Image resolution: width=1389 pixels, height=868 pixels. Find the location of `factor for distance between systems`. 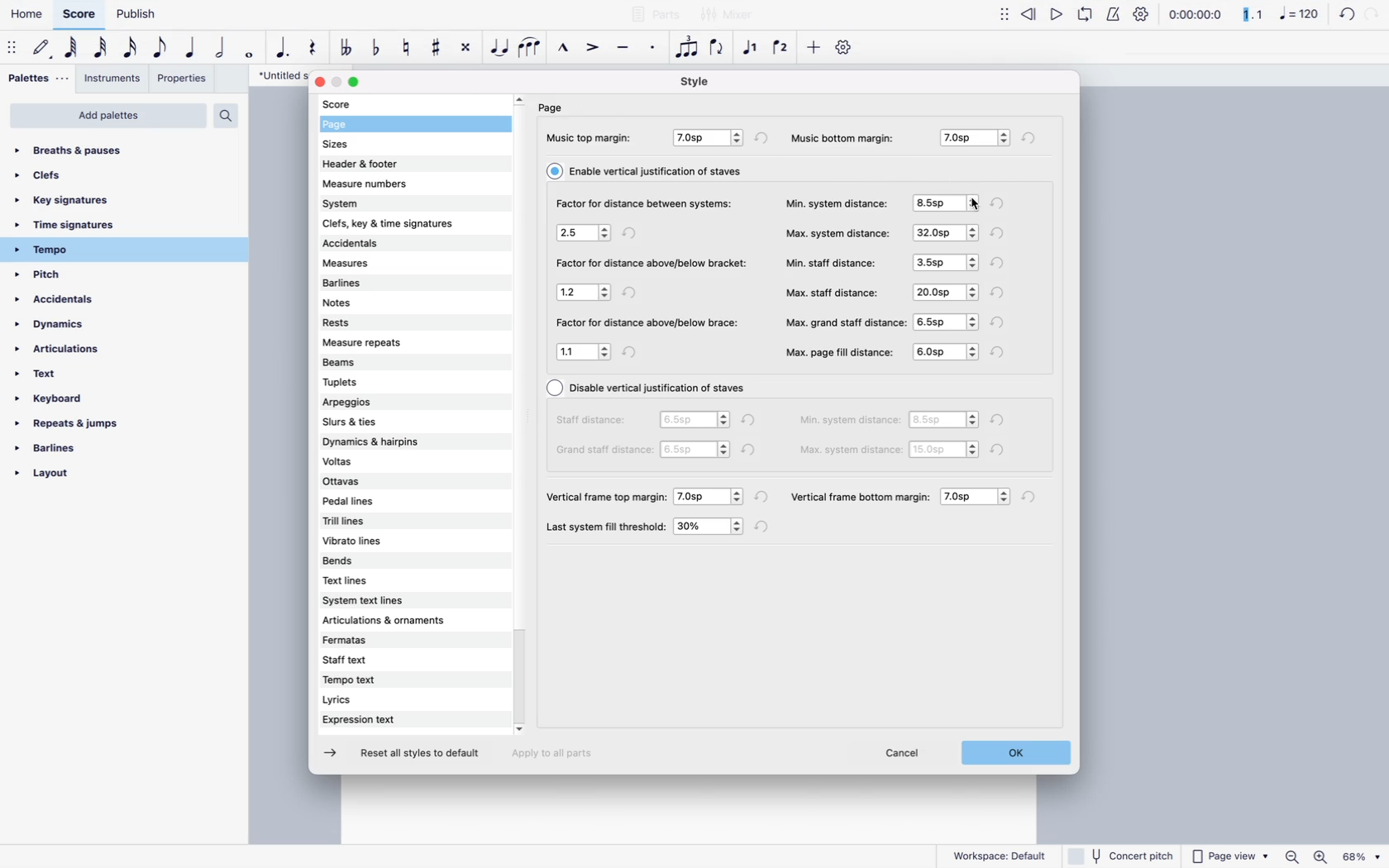

factor for distance between systems is located at coordinates (642, 204).